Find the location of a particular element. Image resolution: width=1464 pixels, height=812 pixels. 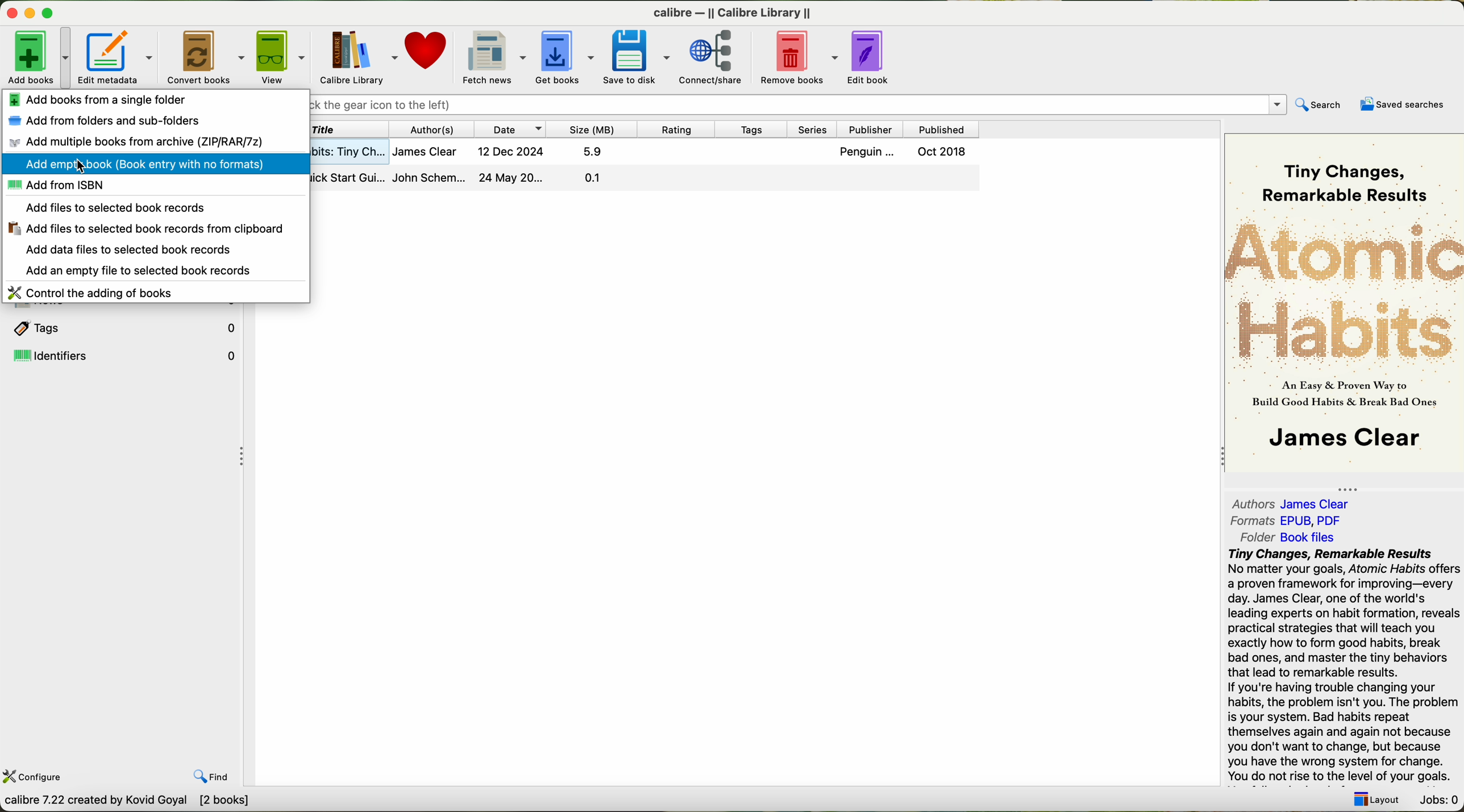

find is located at coordinates (212, 778).